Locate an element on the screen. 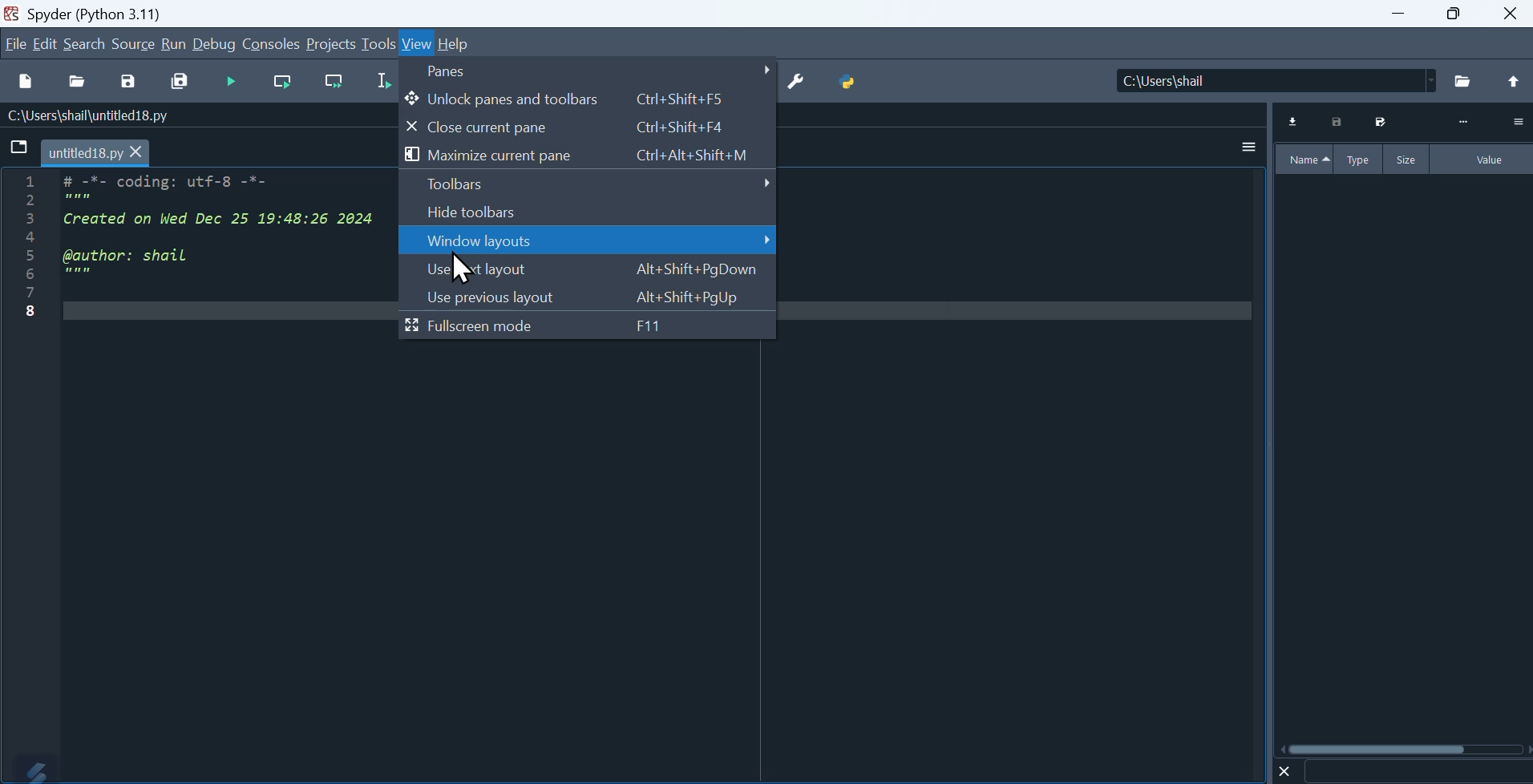  Close is located at coordinates (1512, 14).